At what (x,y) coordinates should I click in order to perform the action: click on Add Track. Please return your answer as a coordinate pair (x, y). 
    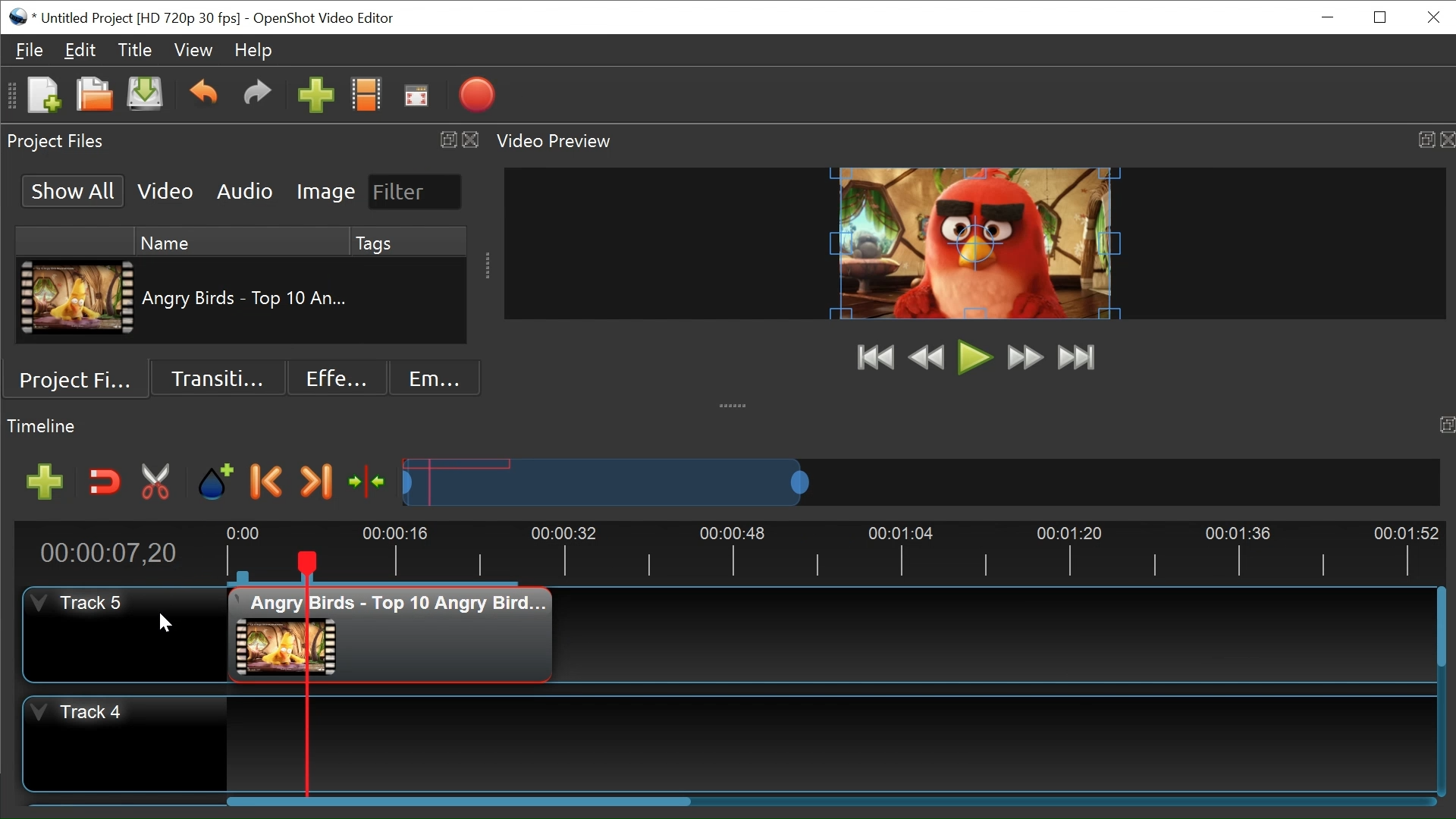
    Looking at the image, I should click on (43, 482).